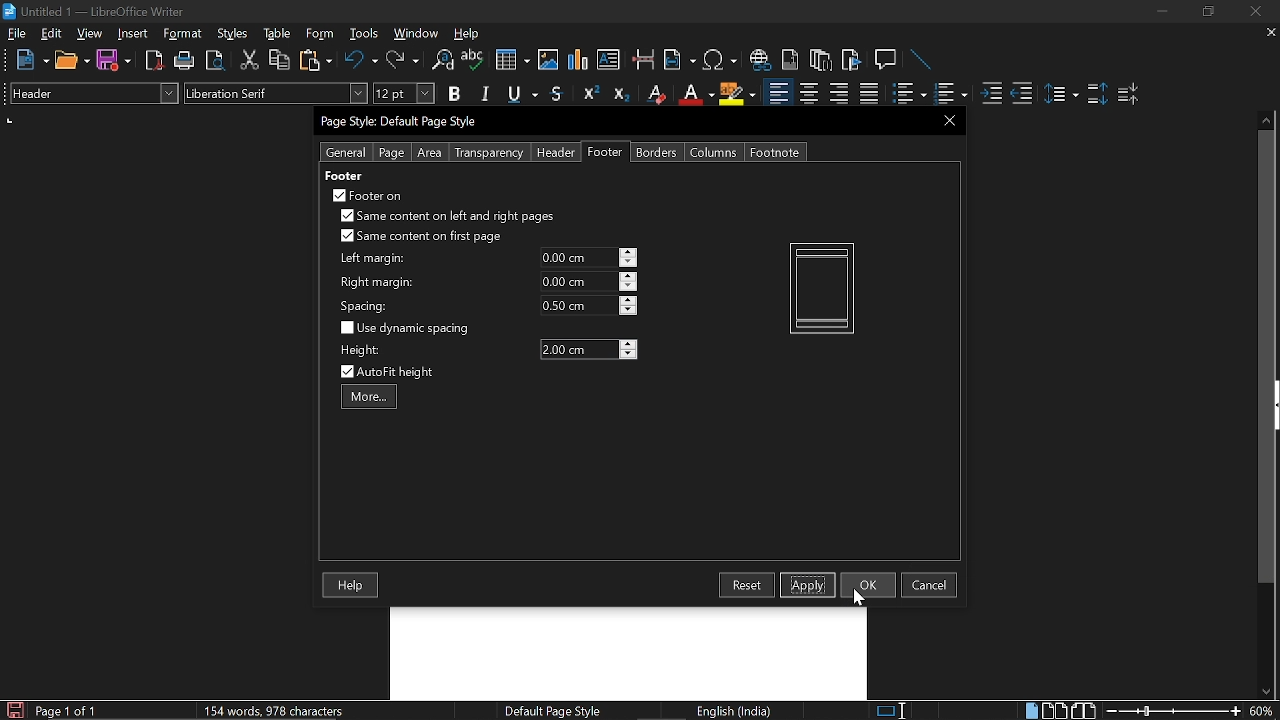  What do you see at coordinates (1054, 711) in the screenshot?
I see `Multiple page view` at bounding box center [1054, 711].